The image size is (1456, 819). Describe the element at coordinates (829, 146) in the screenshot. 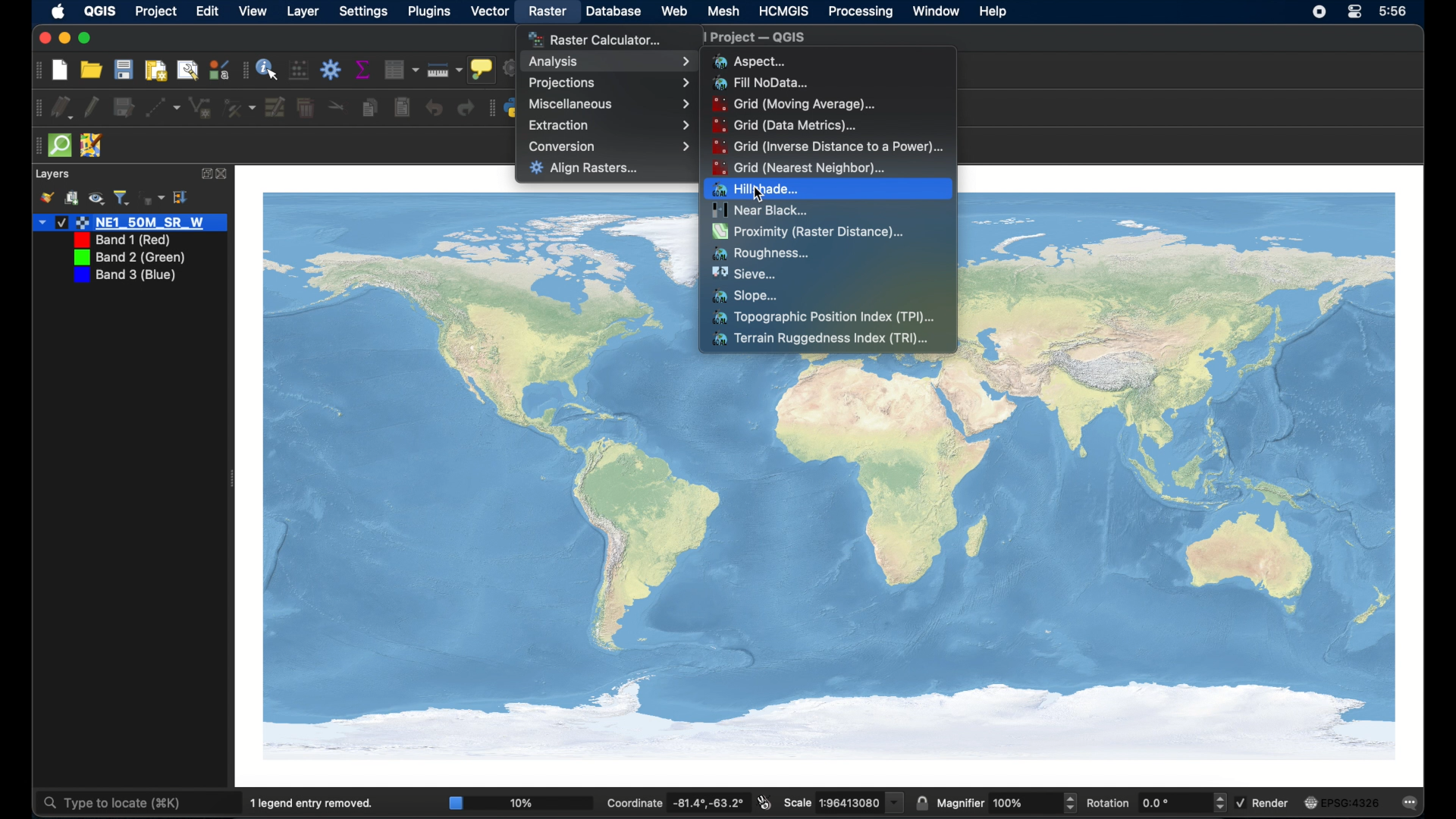

I see `grid (inverse distance  to a power)` at that location.